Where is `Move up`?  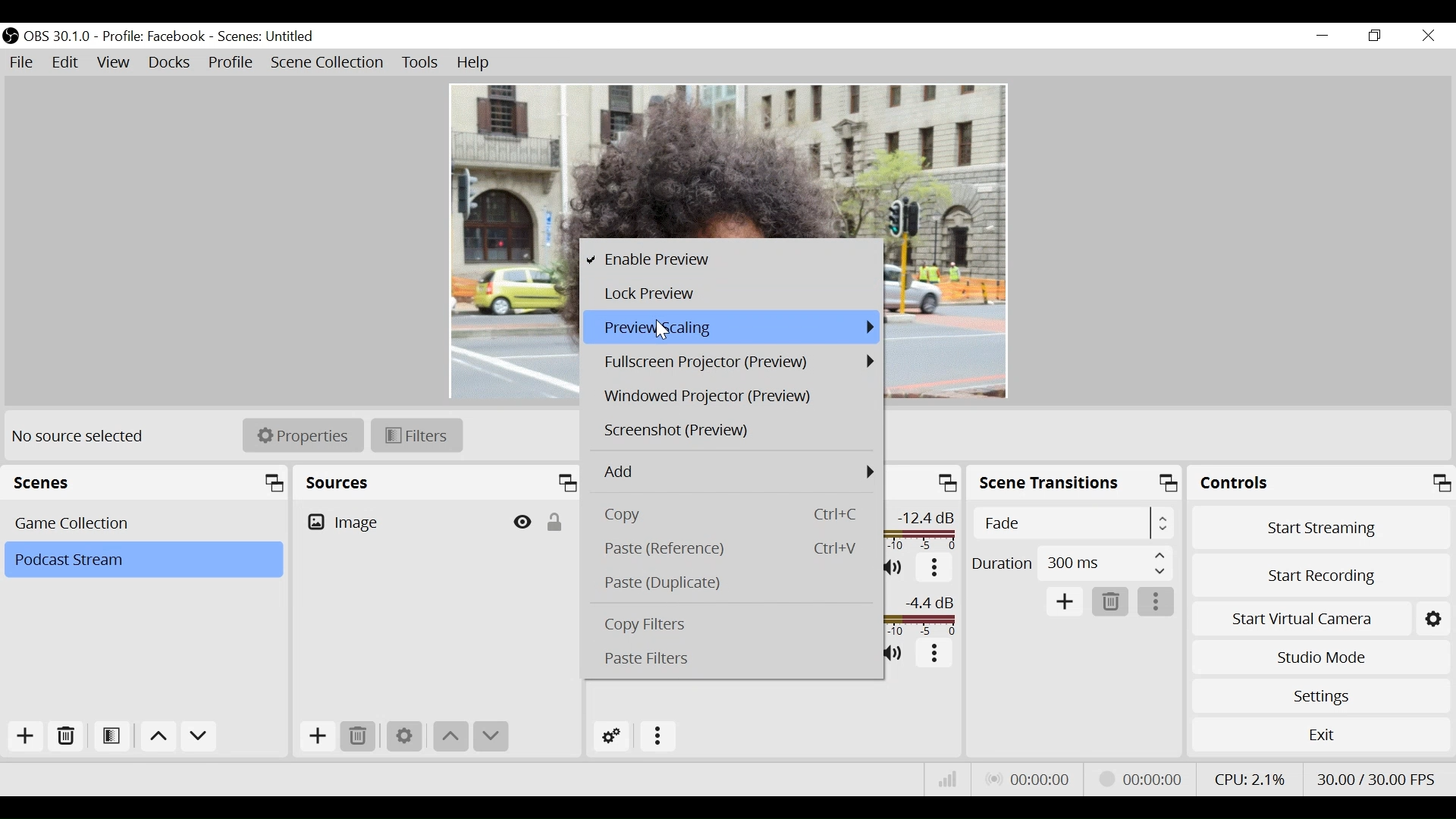
Move up is located at coordinates (158, 739).